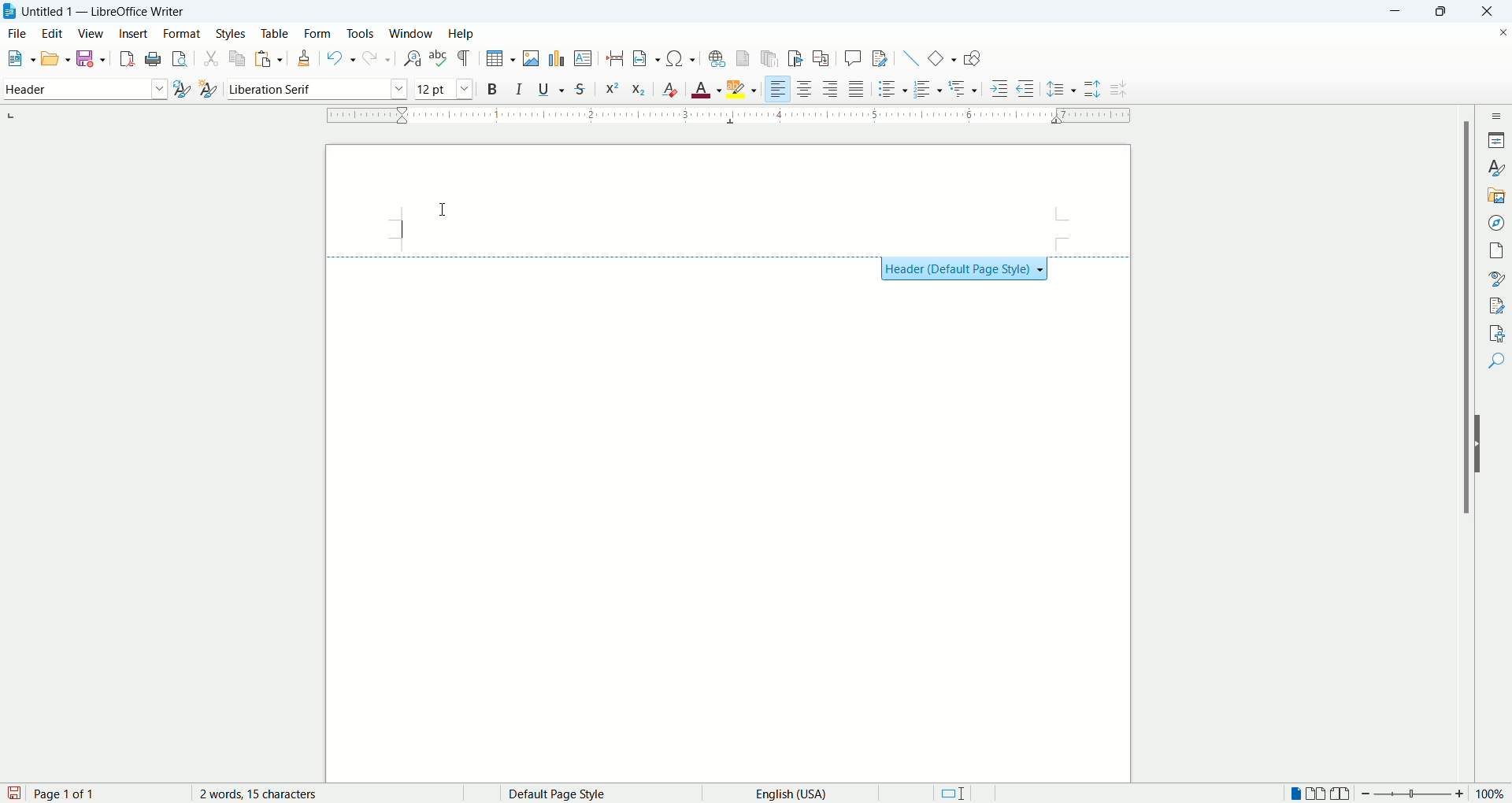  Describe the element at coordinates (209, 91) in the screenshot. I see `new style` at that location.